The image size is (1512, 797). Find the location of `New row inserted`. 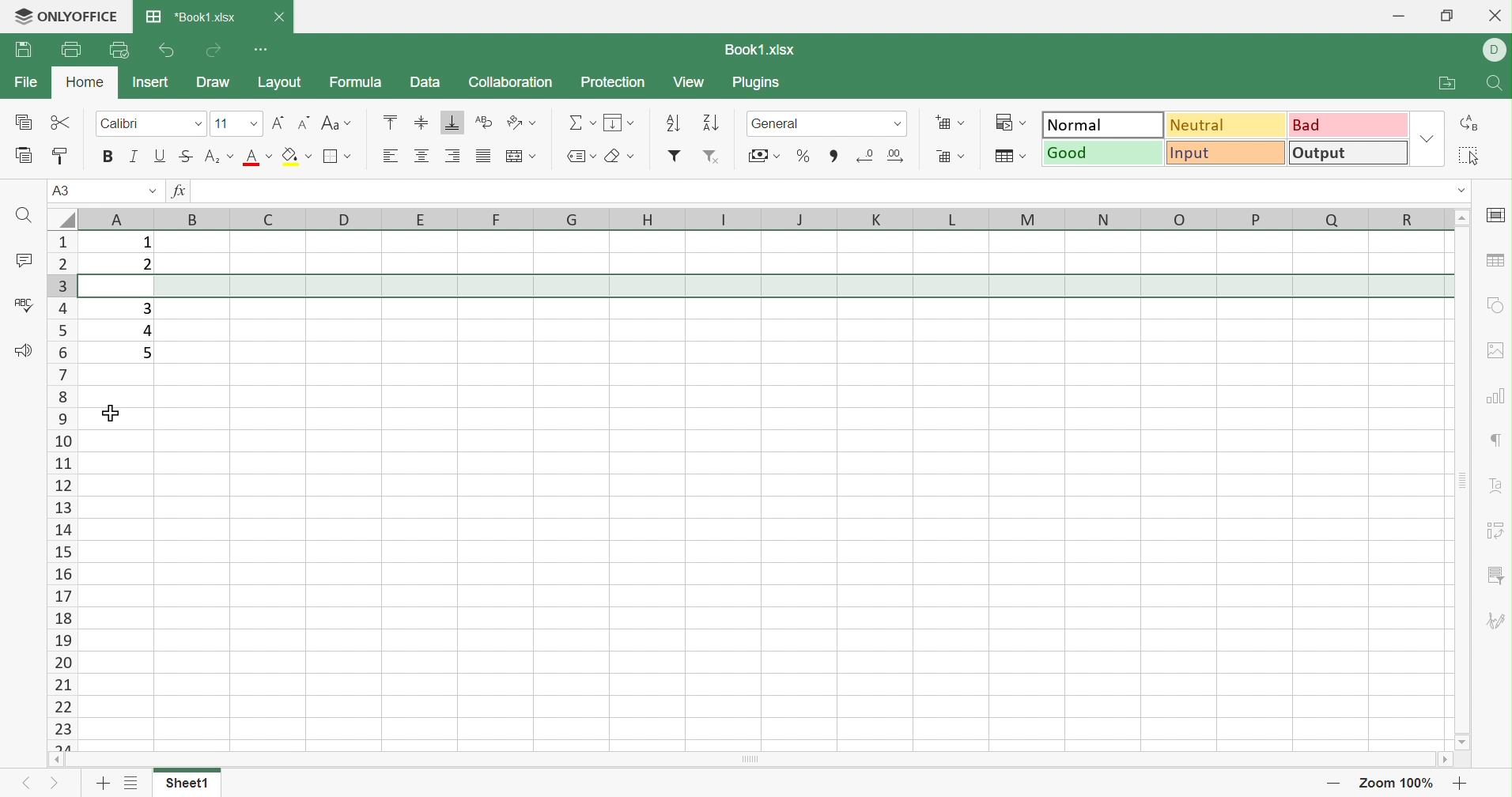

New row inserted is located at coordinates (766, 285).